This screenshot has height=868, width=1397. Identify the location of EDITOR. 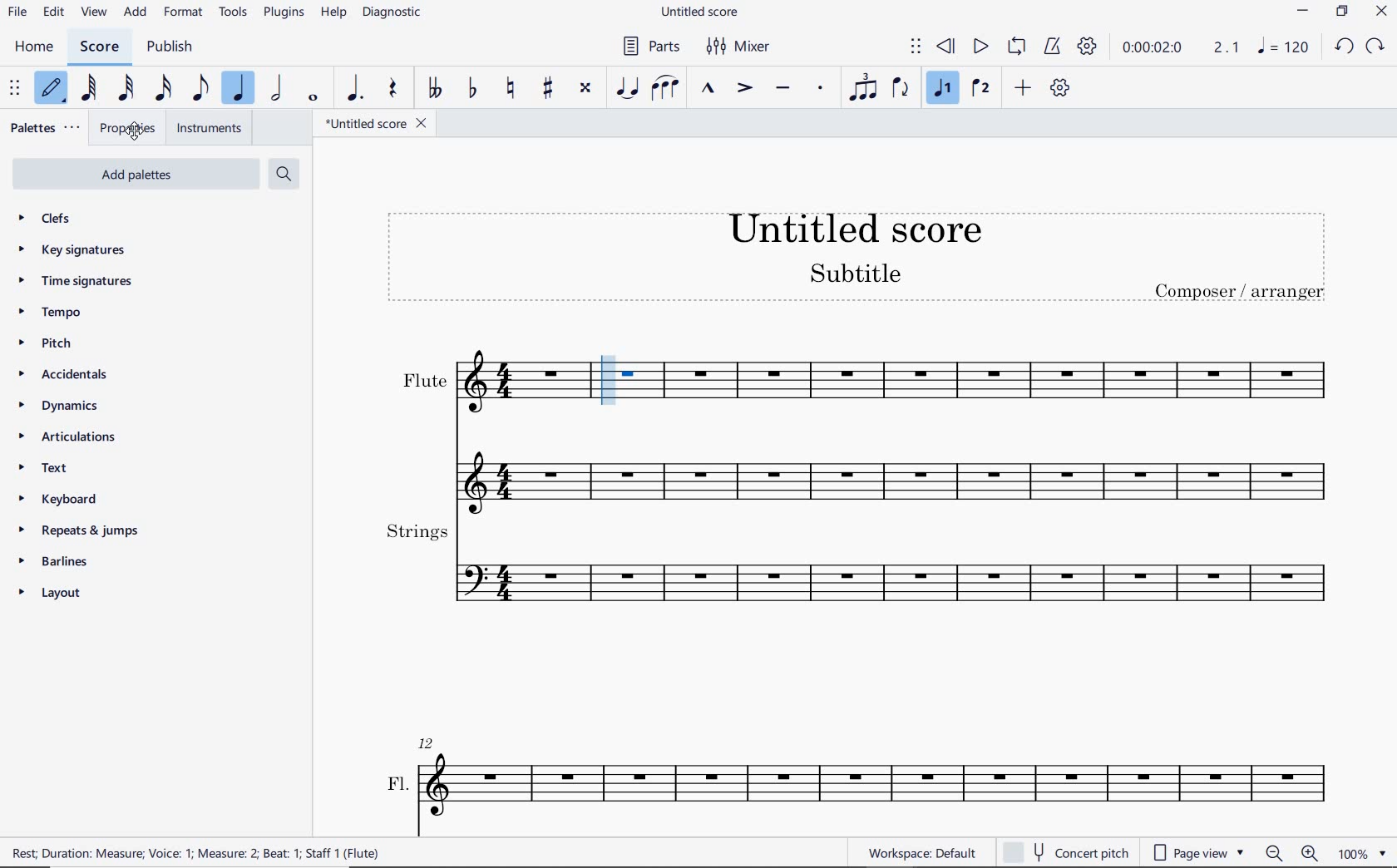
(610, 379).